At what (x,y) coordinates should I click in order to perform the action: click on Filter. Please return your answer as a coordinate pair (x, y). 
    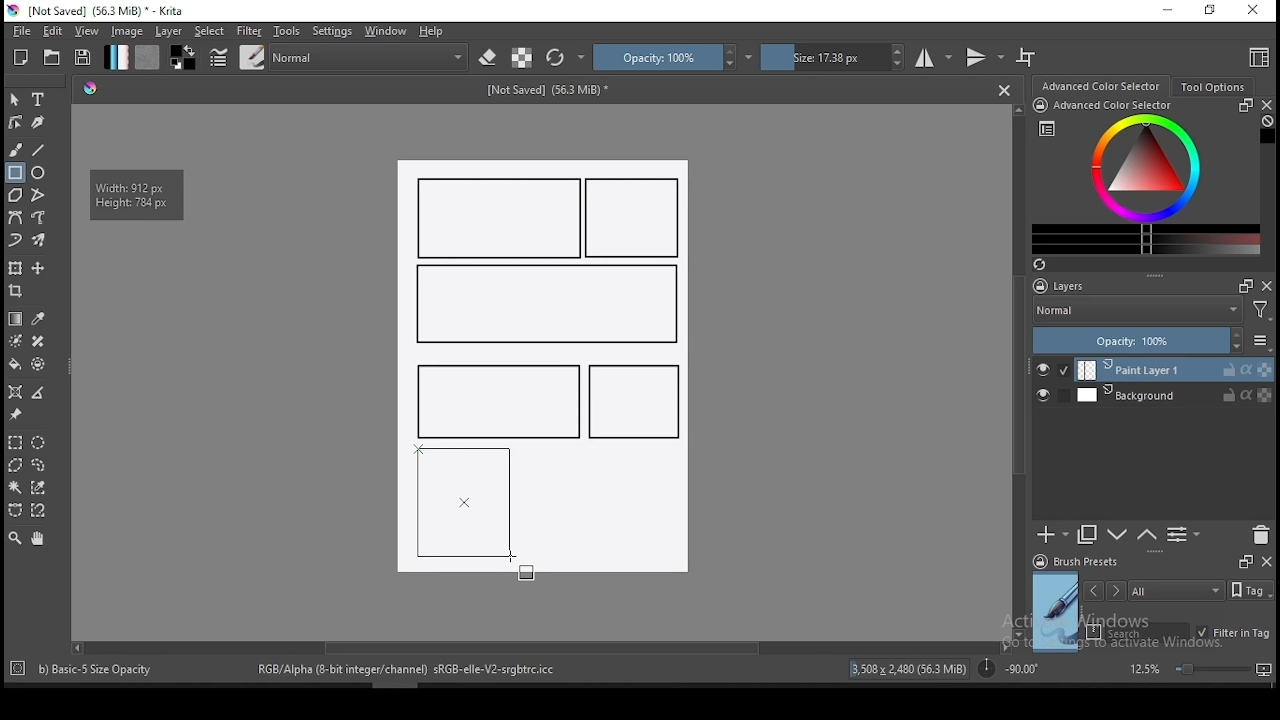
    Looking at the image, I should click on (1261, 313).